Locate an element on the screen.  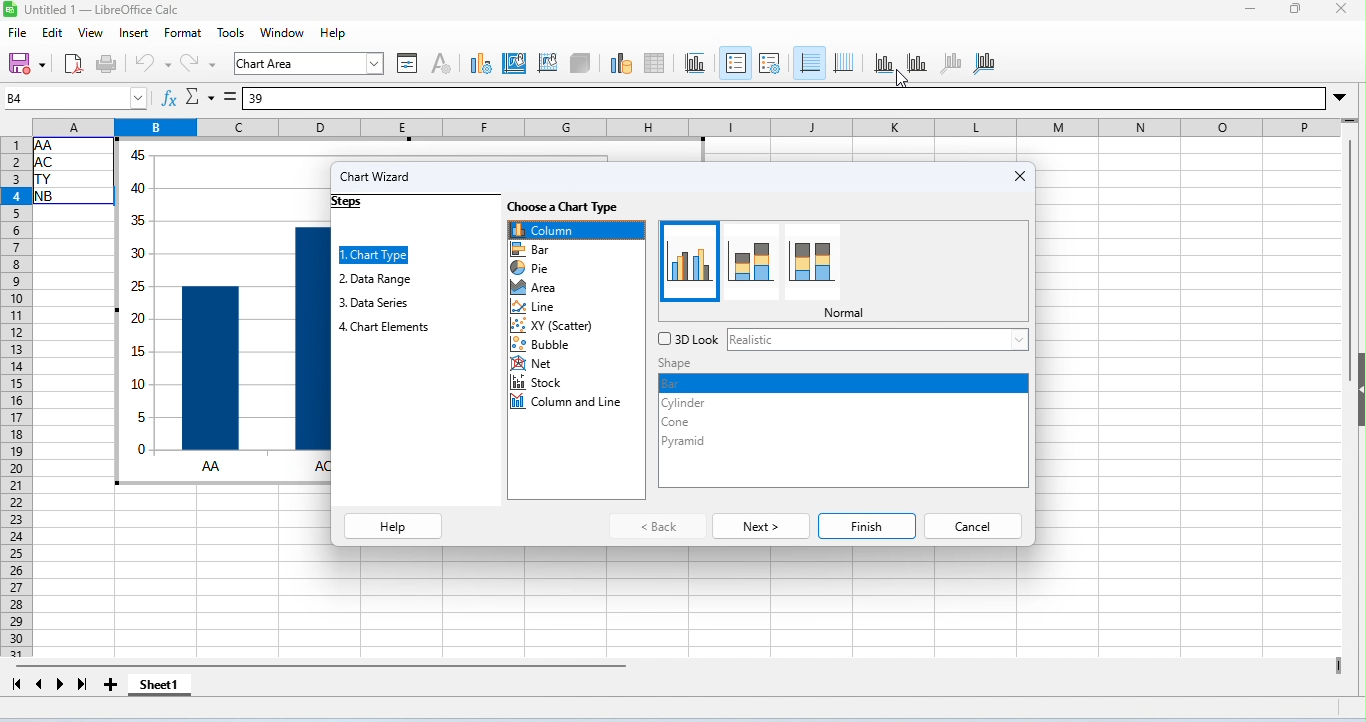
z axis is located at coordinates (953, 63).